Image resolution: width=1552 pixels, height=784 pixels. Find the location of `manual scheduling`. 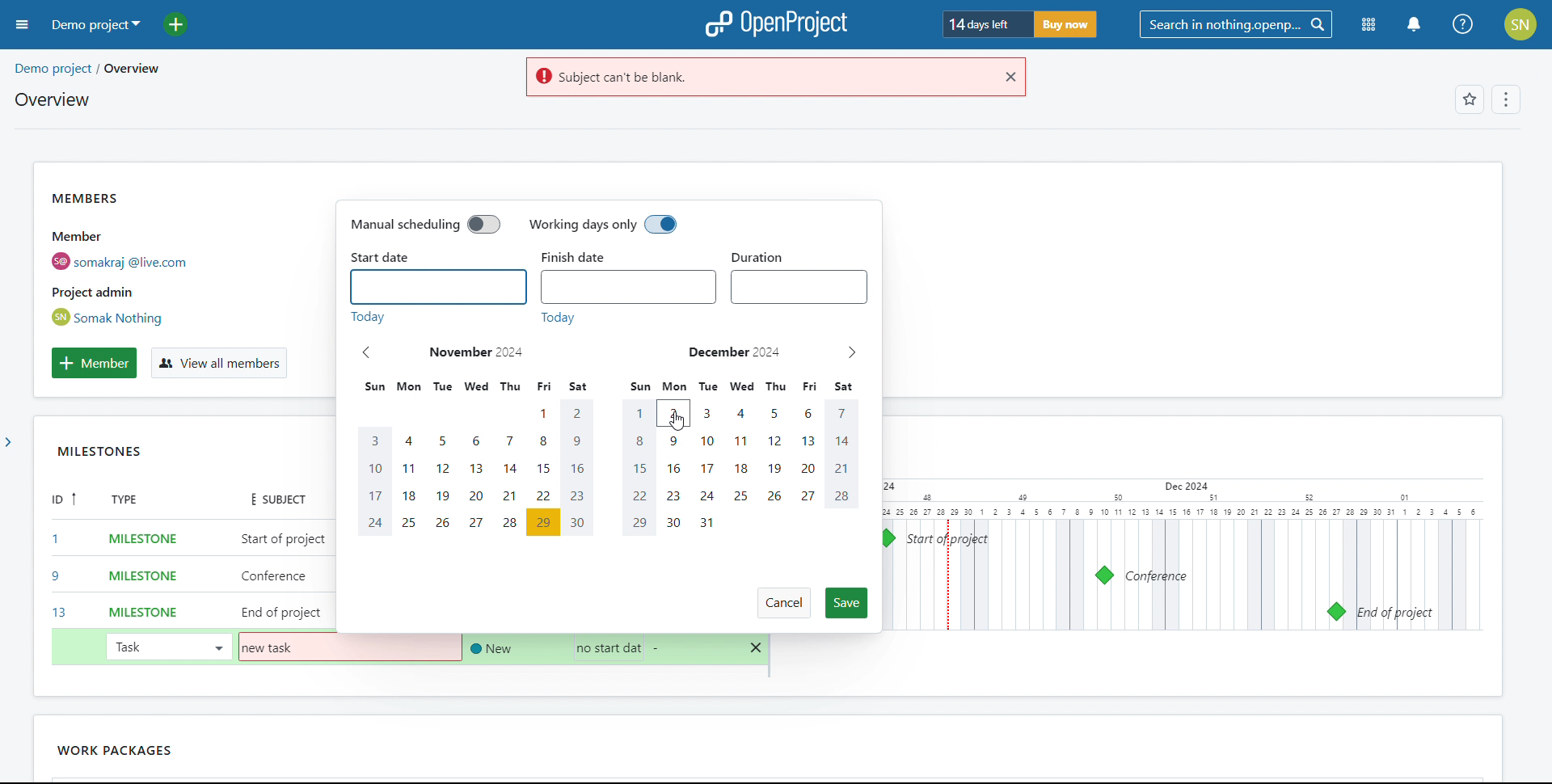

manual scheduling is located at coordinates (424, 224).